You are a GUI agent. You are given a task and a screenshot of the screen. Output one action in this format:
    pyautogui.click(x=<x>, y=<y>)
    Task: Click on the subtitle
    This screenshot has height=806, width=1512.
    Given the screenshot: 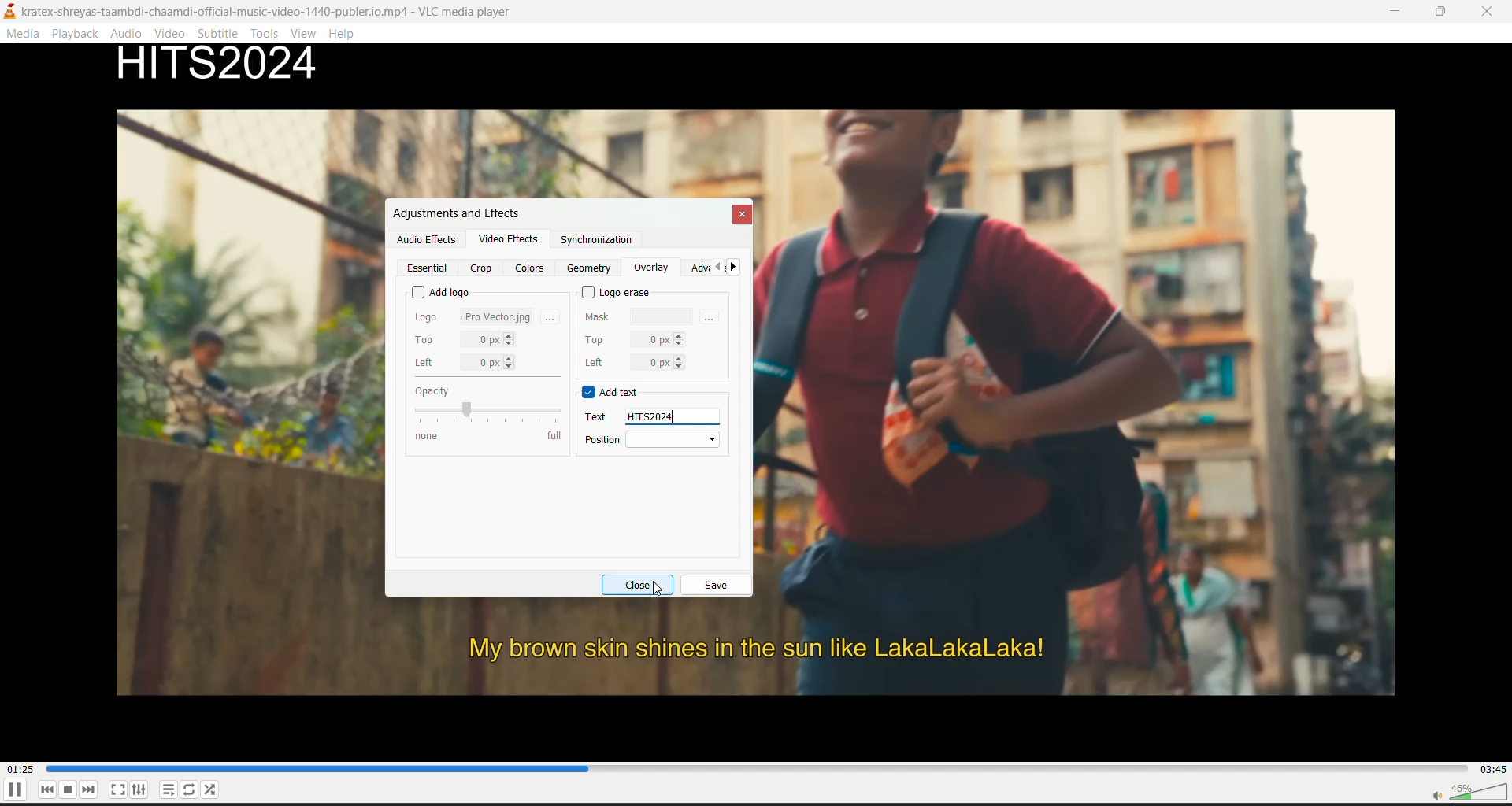 What is the action you would take?
    pyautogui.click(x=220, y=34)
    